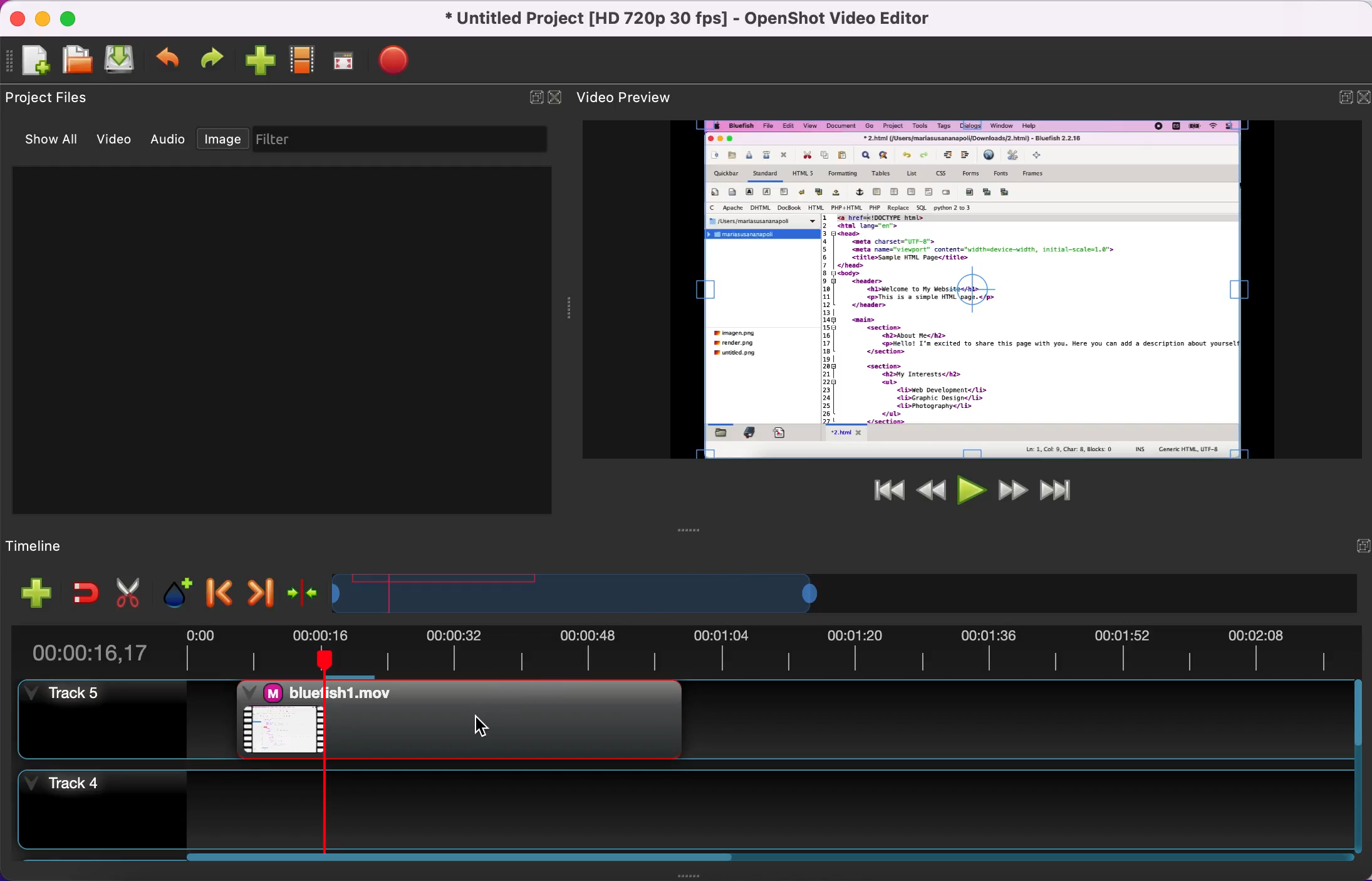 The height and width of the screenshot is (881, 1372). What do you see at coordinates (172, 589) in the screenshot?
I see `add marker` at bounding box center [172, 589].